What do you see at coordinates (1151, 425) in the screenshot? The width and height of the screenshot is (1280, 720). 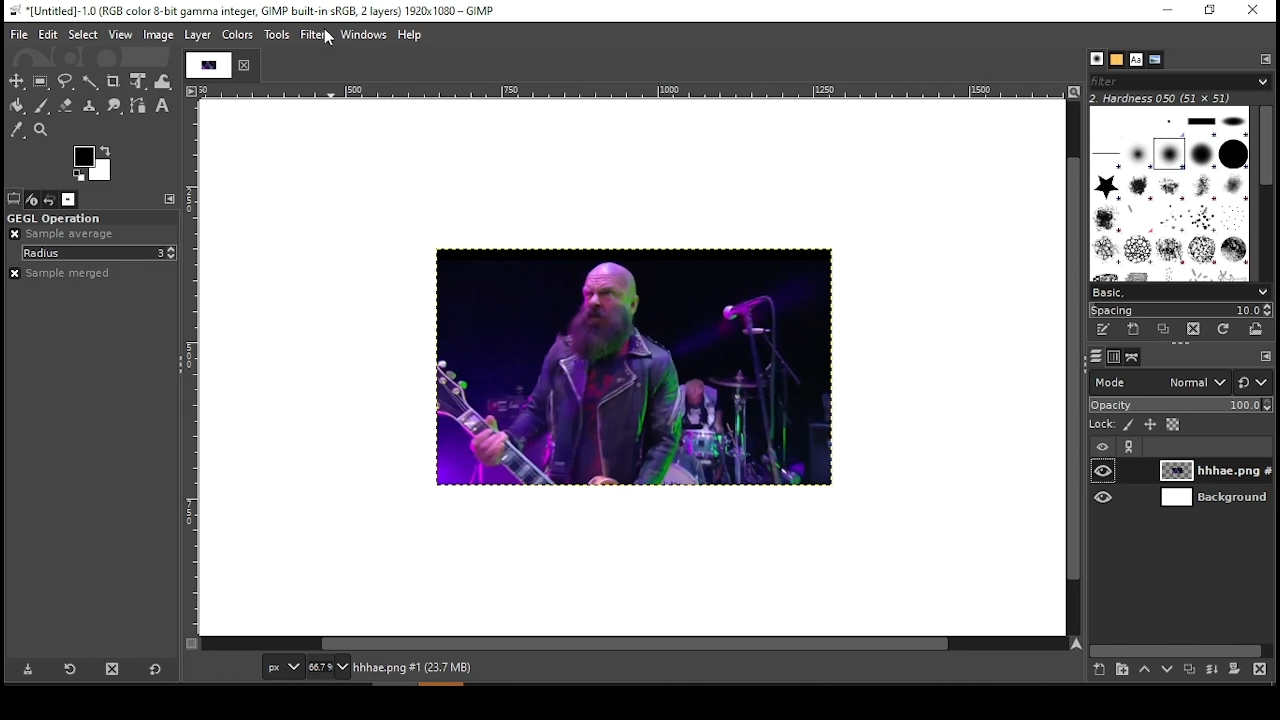 I see `lock size and positioning` at bounding box center [1151, 425].